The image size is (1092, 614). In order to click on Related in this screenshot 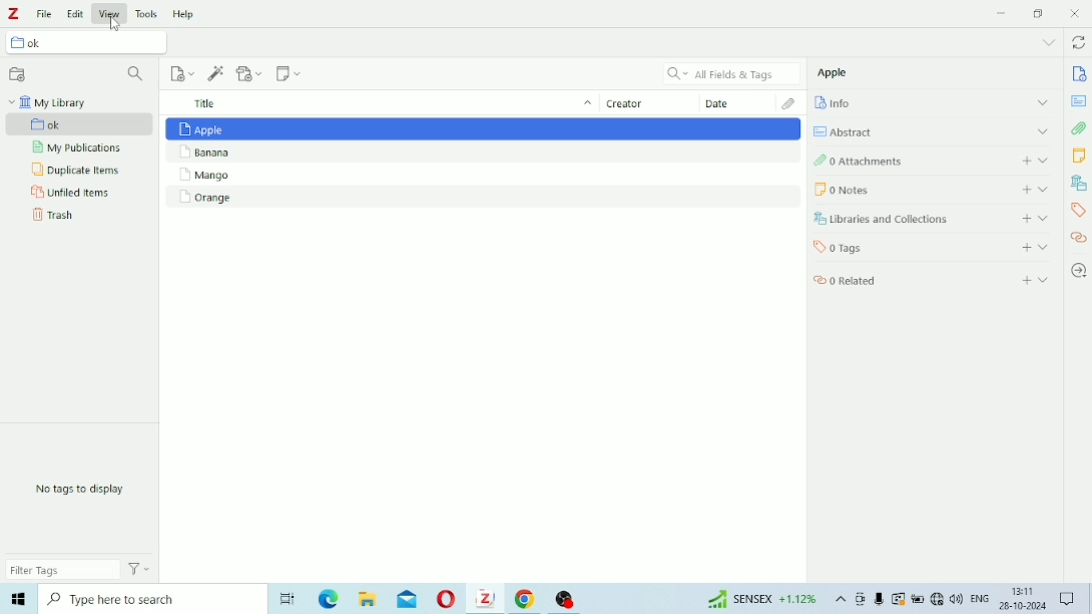, I will do `click(863, 281)`.